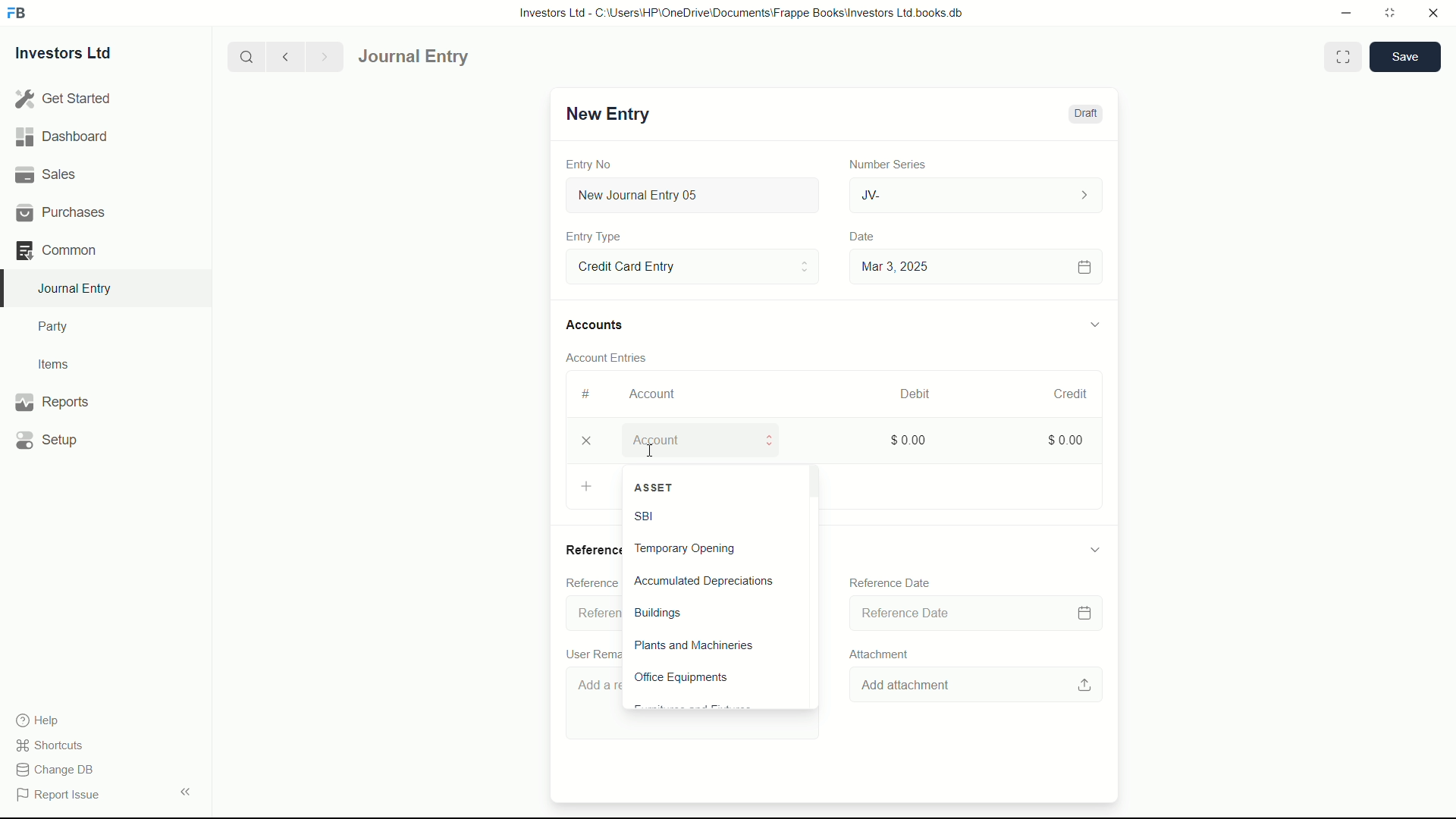 This screenshot has height=819, width=1456. Describe the element at coordinates (1064, 394) in the screenshot. I see `Credit` at that location.